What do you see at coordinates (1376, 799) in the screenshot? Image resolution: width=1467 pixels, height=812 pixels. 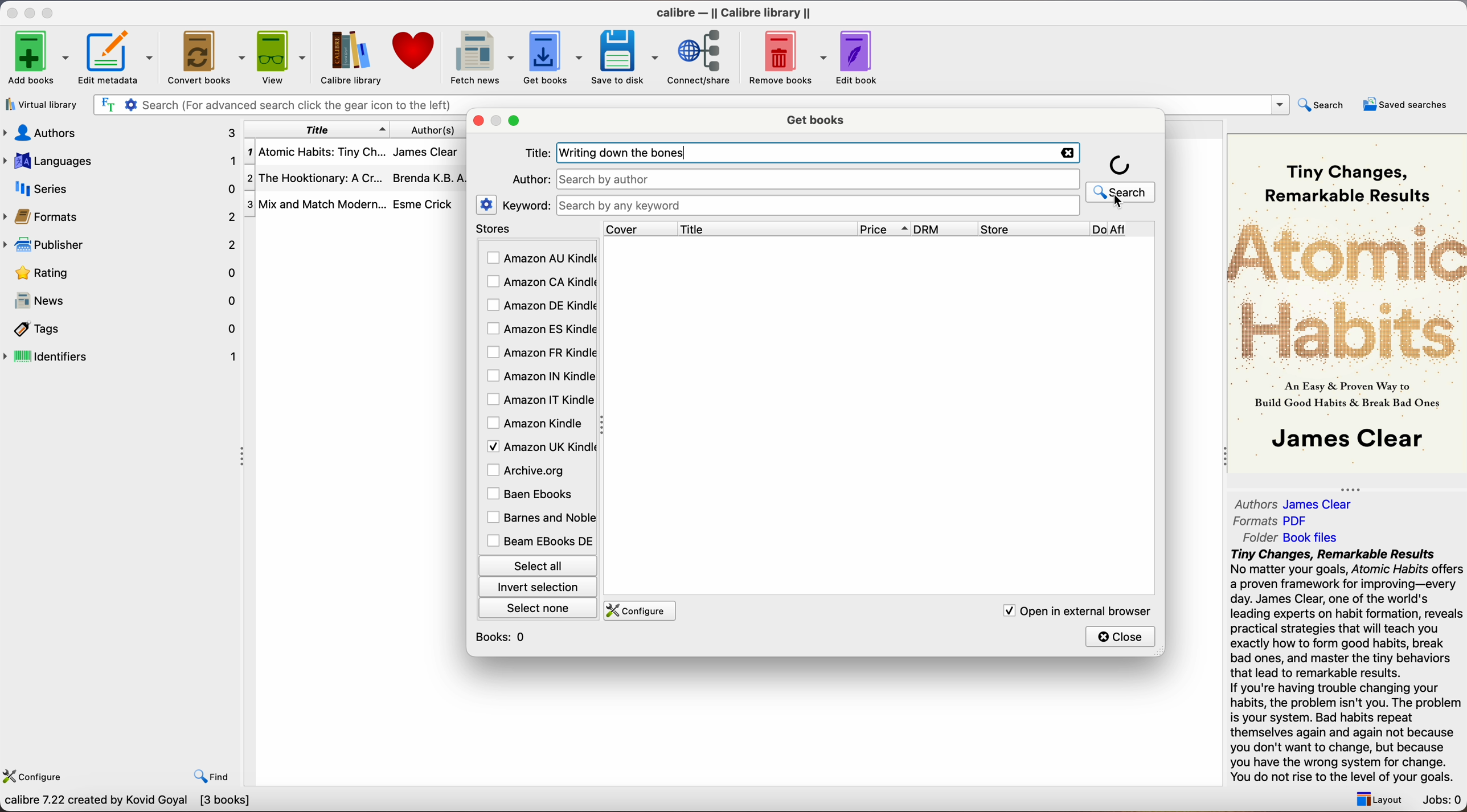 I see `layout` at bounding box center [1376, 799].